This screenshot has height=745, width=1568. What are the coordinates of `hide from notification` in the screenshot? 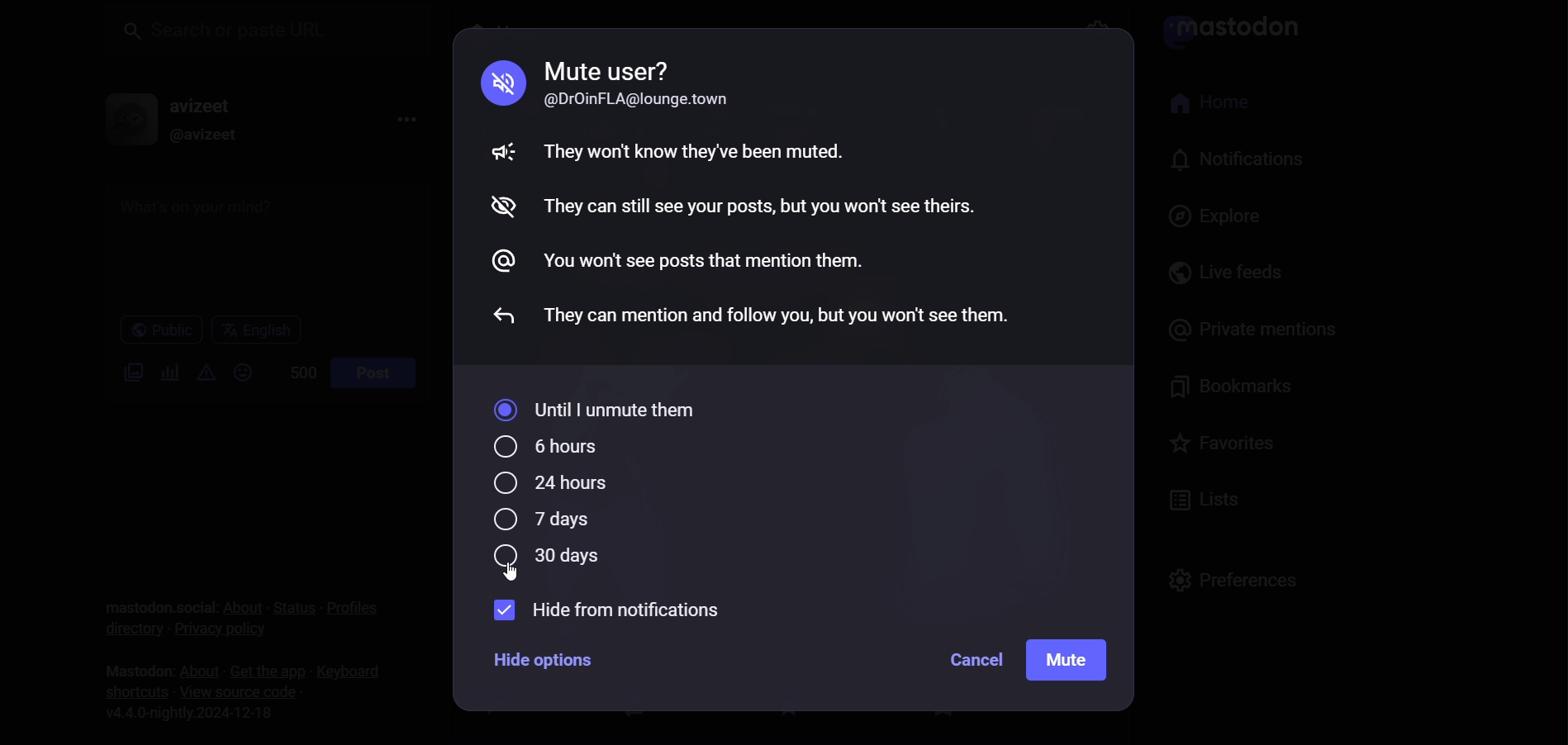 It's located at (617, 611).